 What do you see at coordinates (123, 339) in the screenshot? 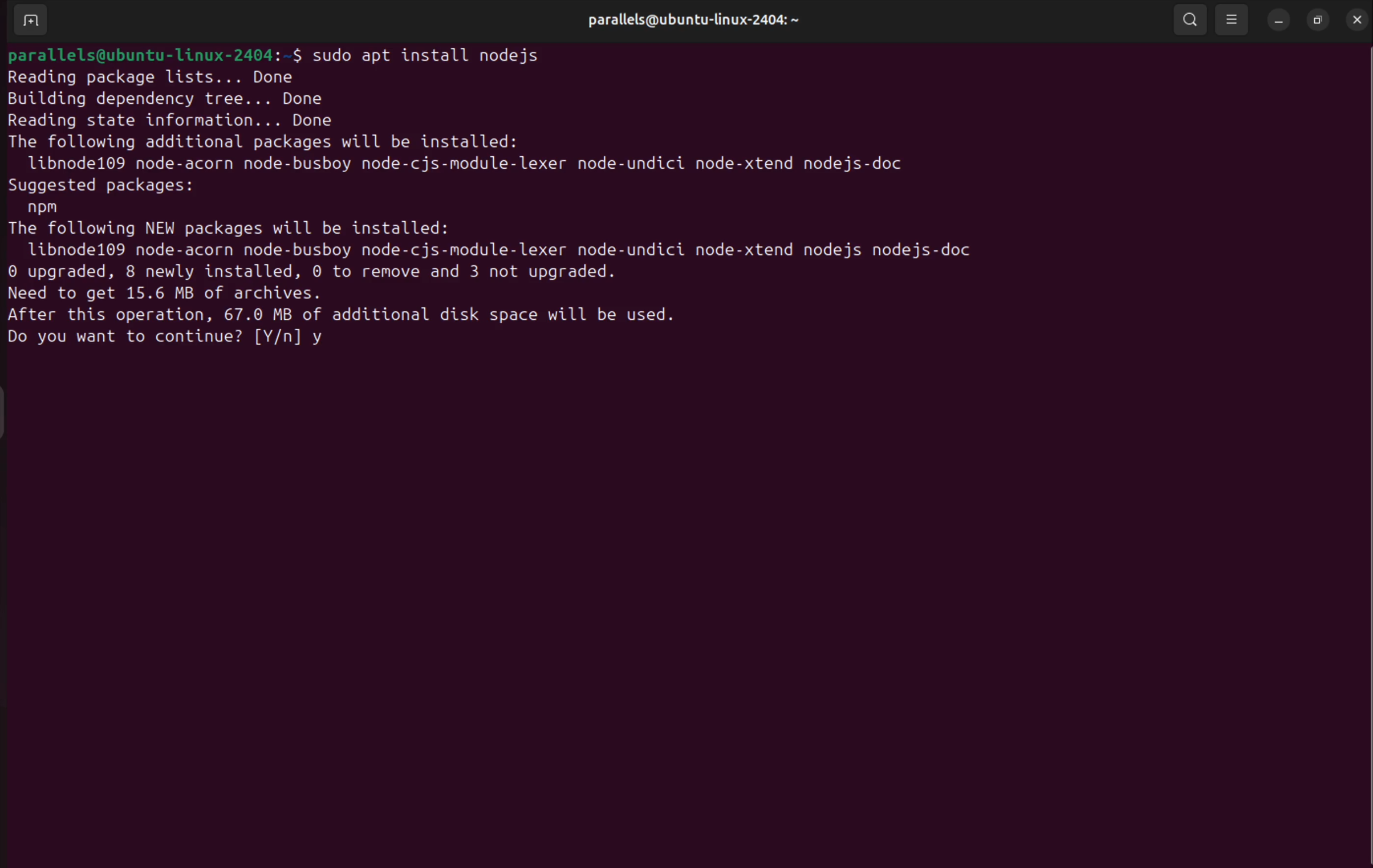
I see `Do you want to continue?` at bounding box center [123, 339].